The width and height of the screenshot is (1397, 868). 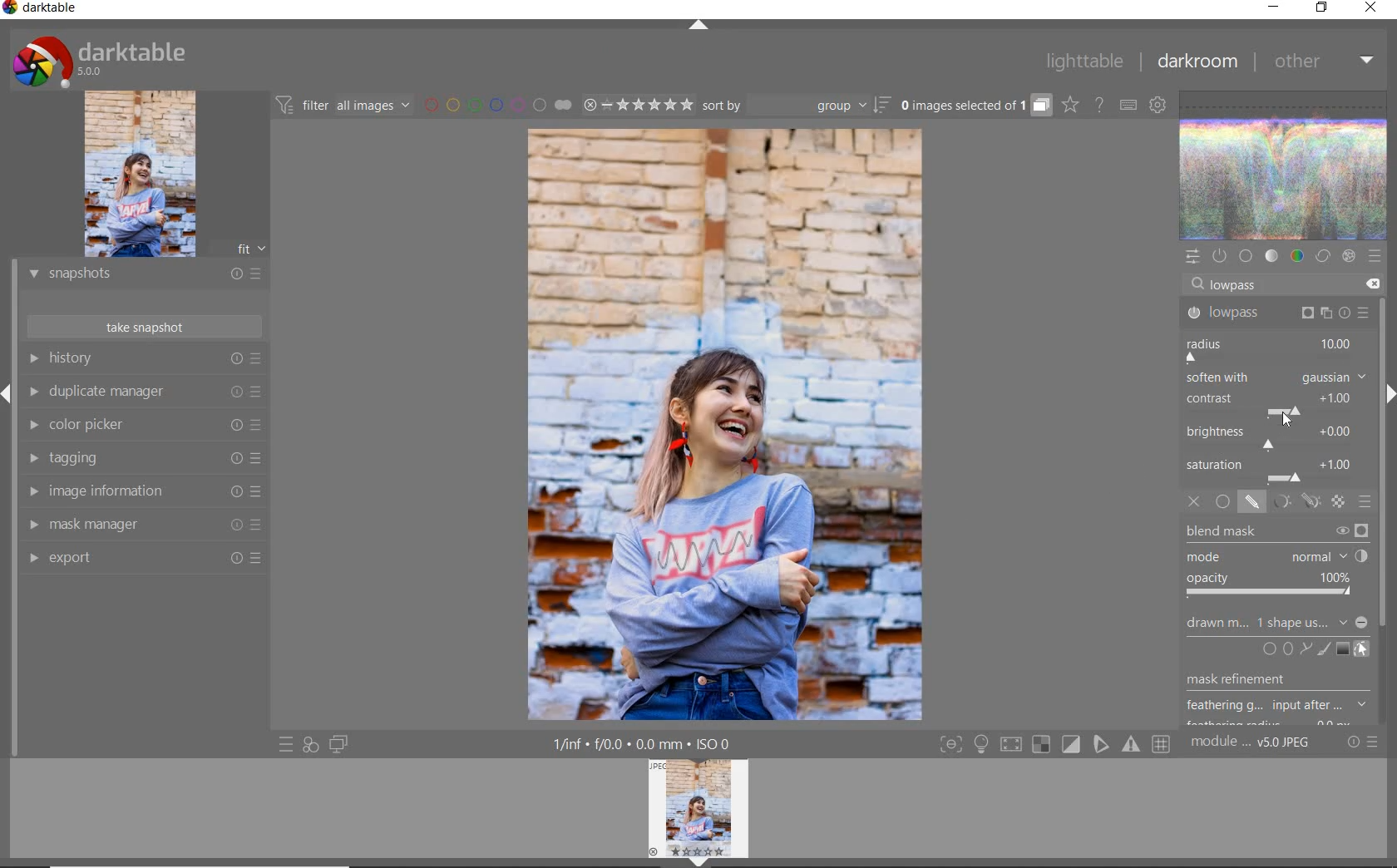 I want to click on off, so click(x=1197, y=503).